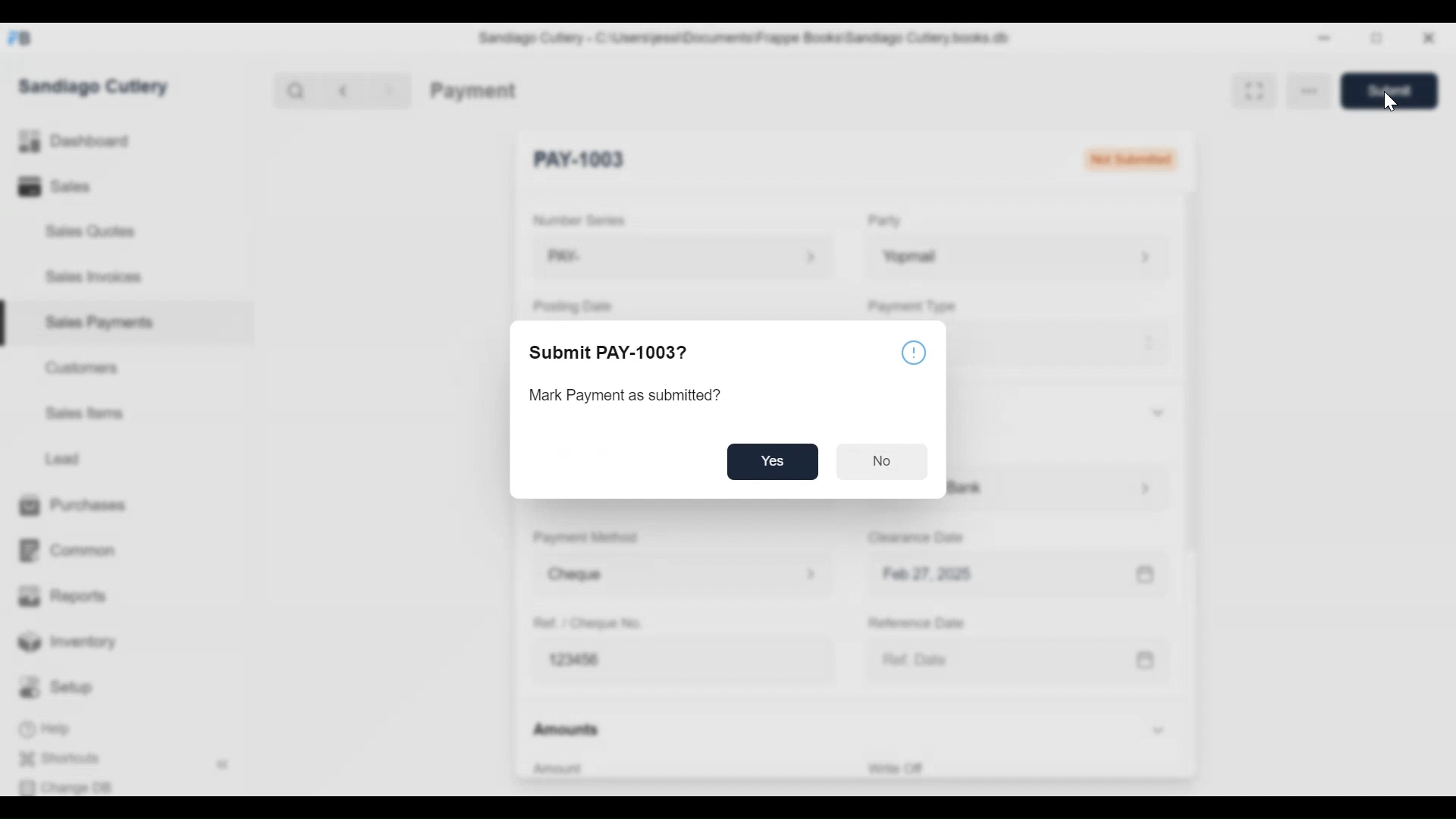 The width and height of the screenshot is (1456, 819). I want to click on Submit PAY-1003, so click(610, 353).